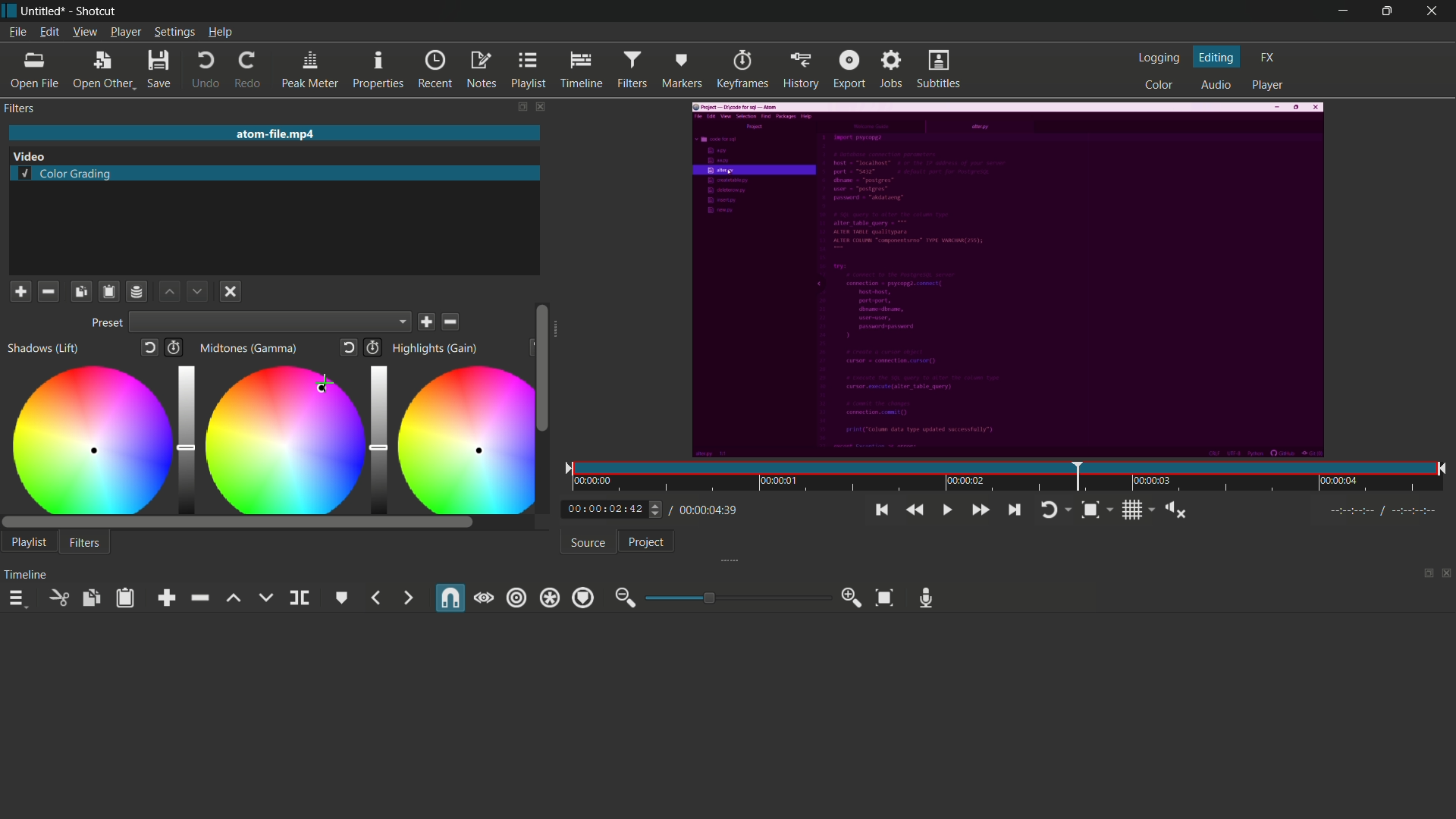 The width and height of the screenshot is (1456, 819). I want to click on skip to the next point, so click(1012, 510).